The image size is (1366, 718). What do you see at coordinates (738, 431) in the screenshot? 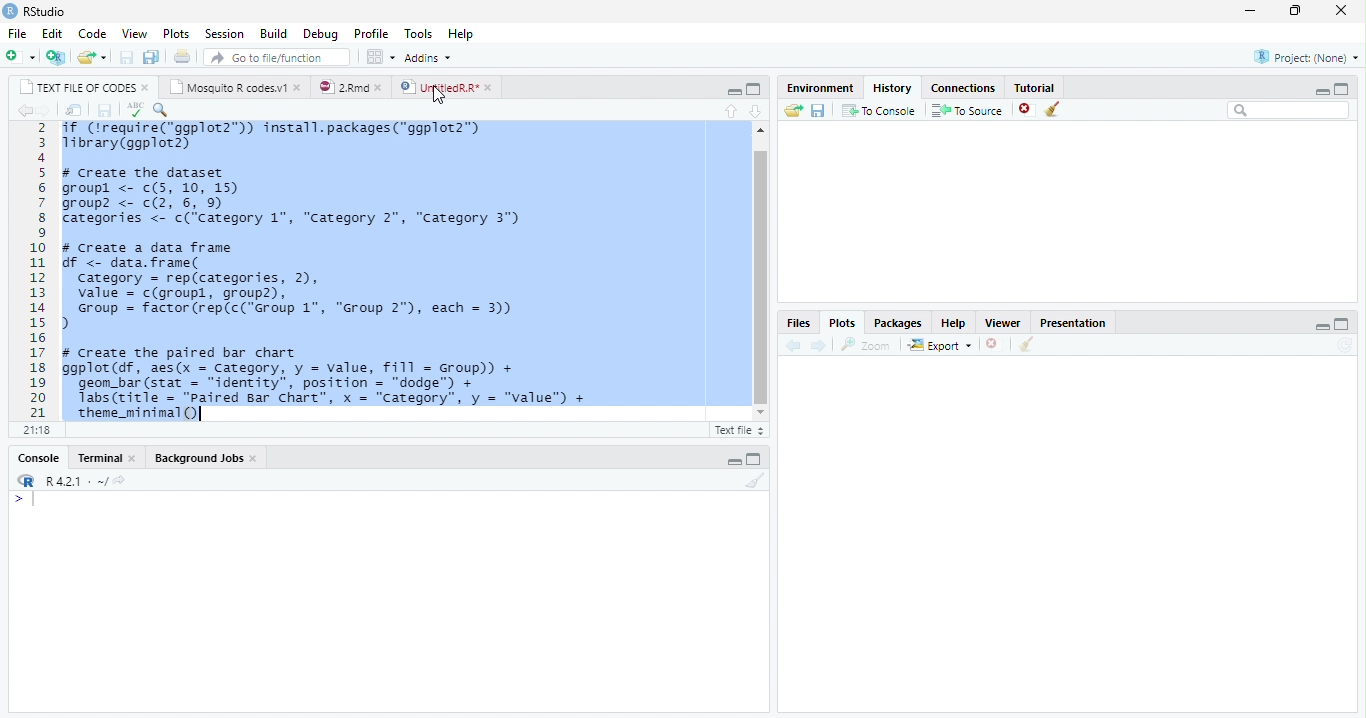
I see `Rscript` at bounding box center [738, 431].